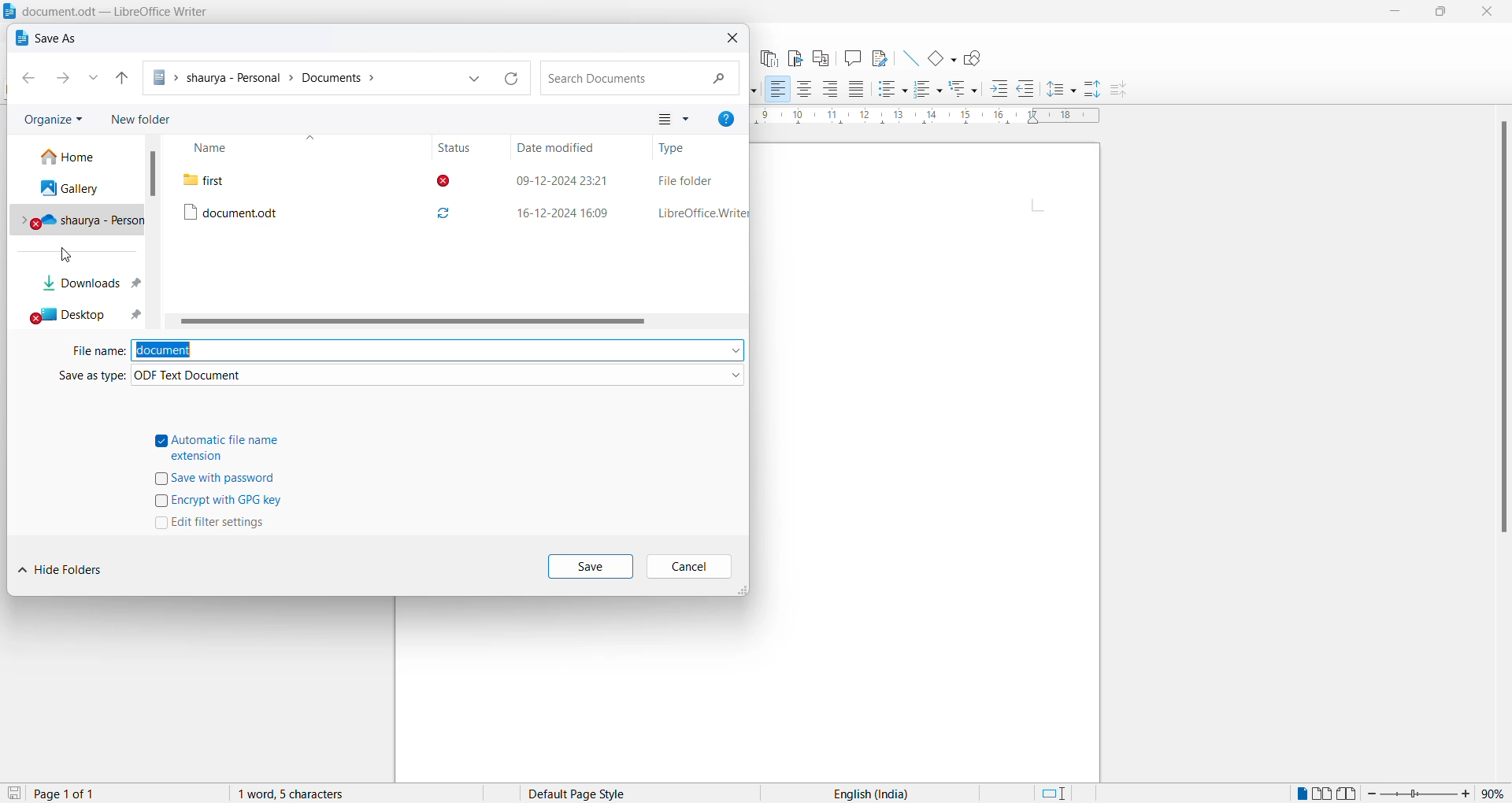 The width and height of the screenshot is (1512, 803). What do you see at coordinates (279, 210) in the screenshot?
I see `document.odt` at bounding box center [279, 210].